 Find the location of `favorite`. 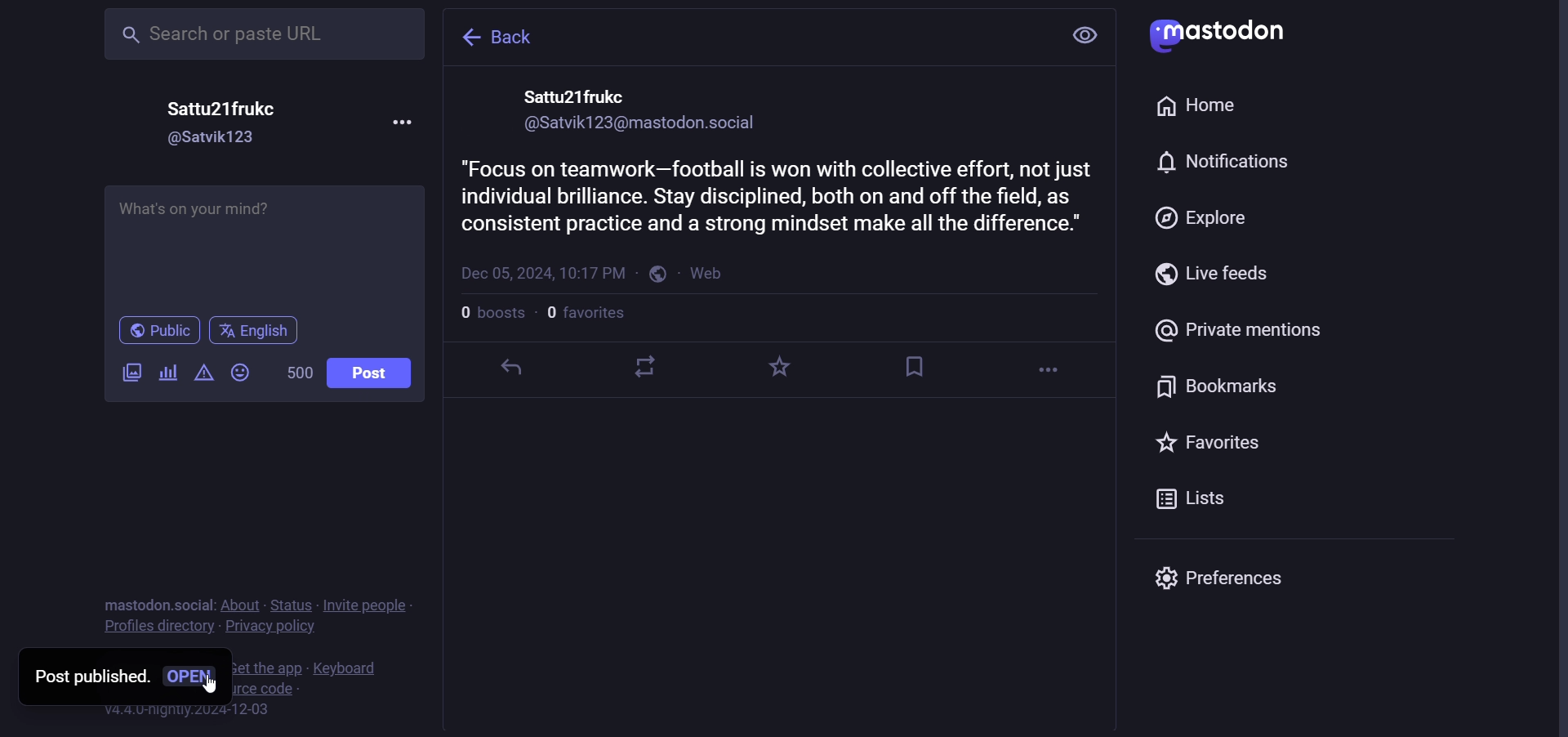

favorite is located at coordinates (1204, 443).